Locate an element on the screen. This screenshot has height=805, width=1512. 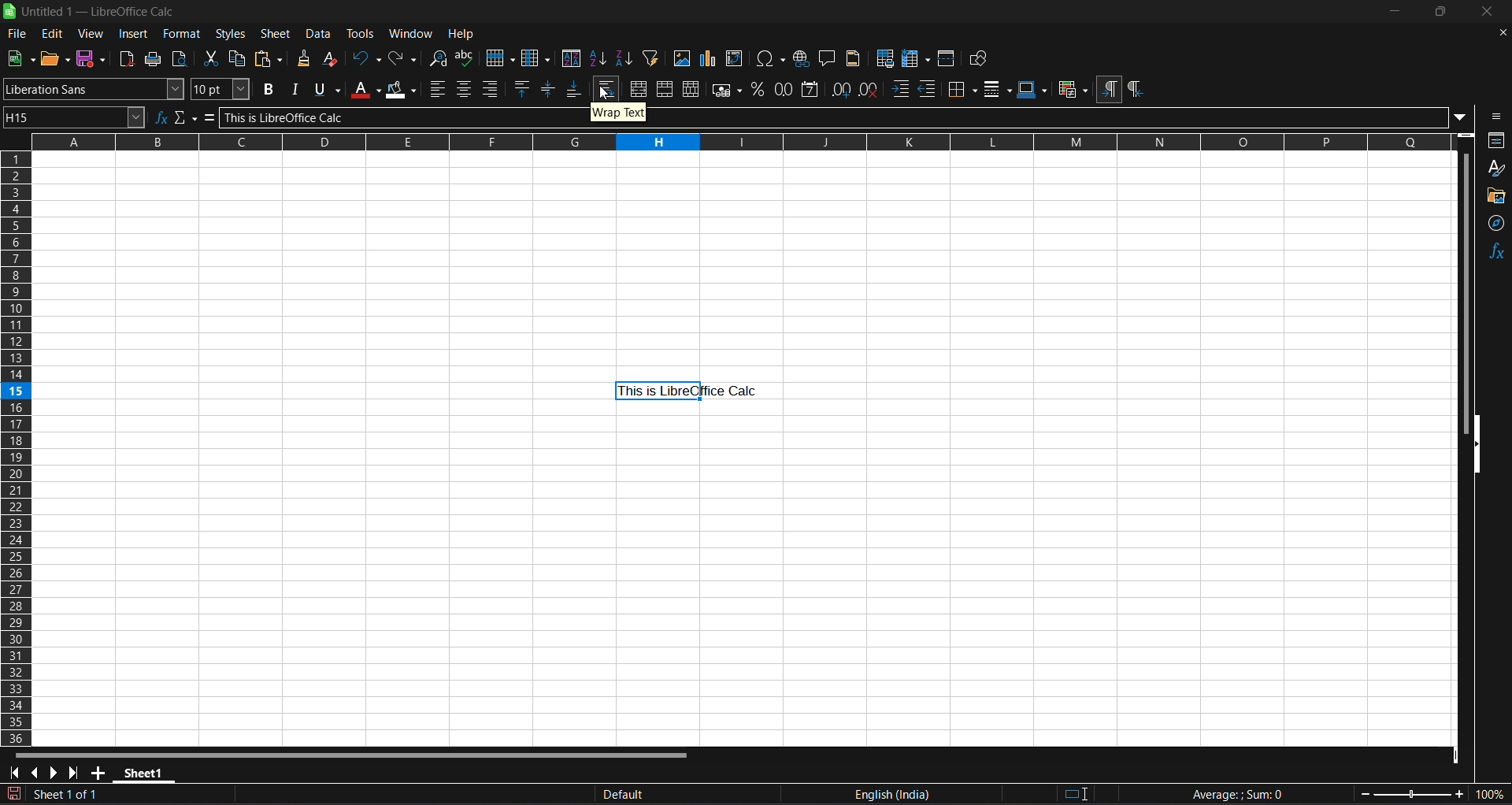
sheet is located at coordinates (276, 32).